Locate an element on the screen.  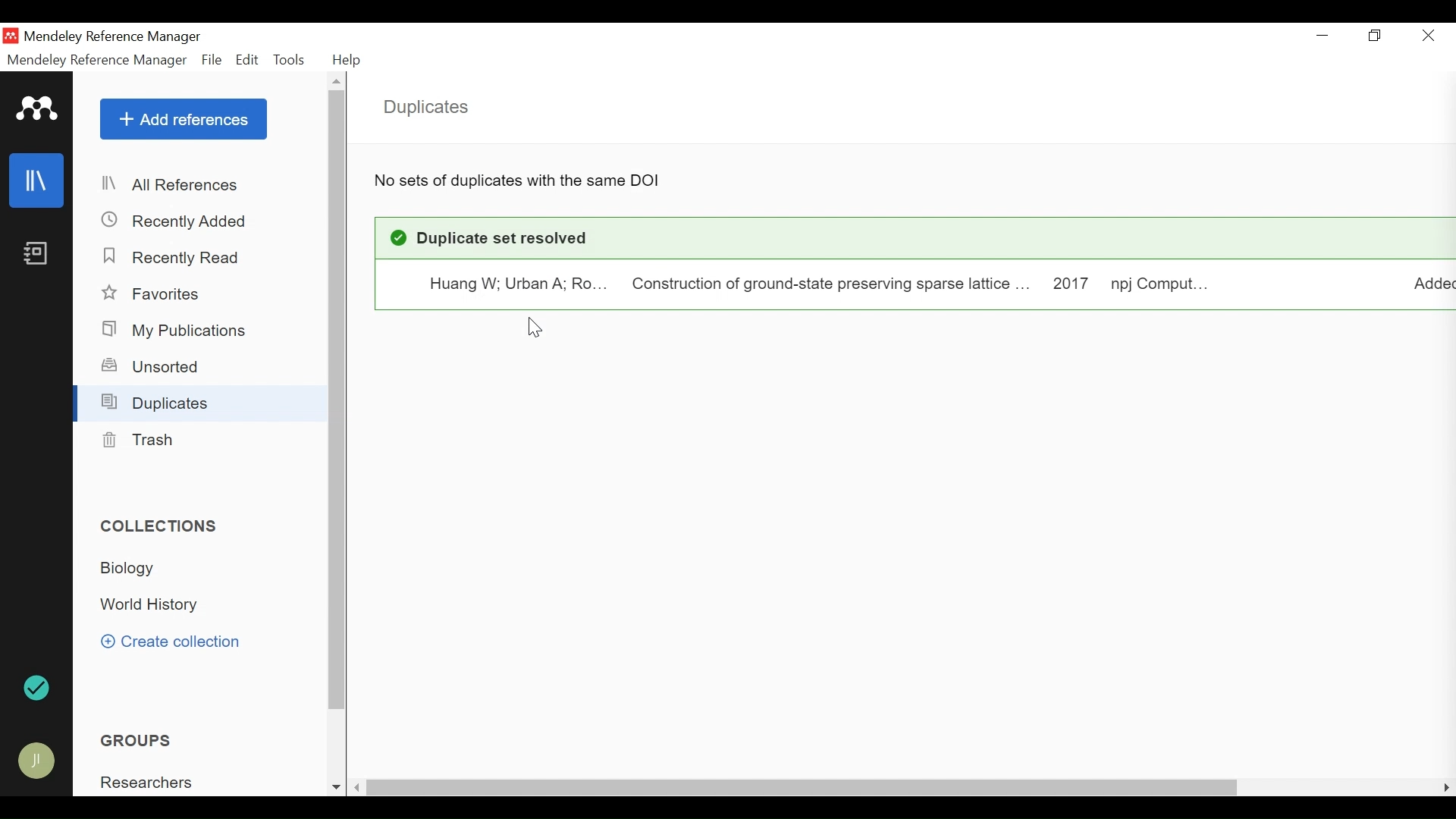
Construction of ground-state preserving sparse lattice.. is located at coordinates (827, 287).